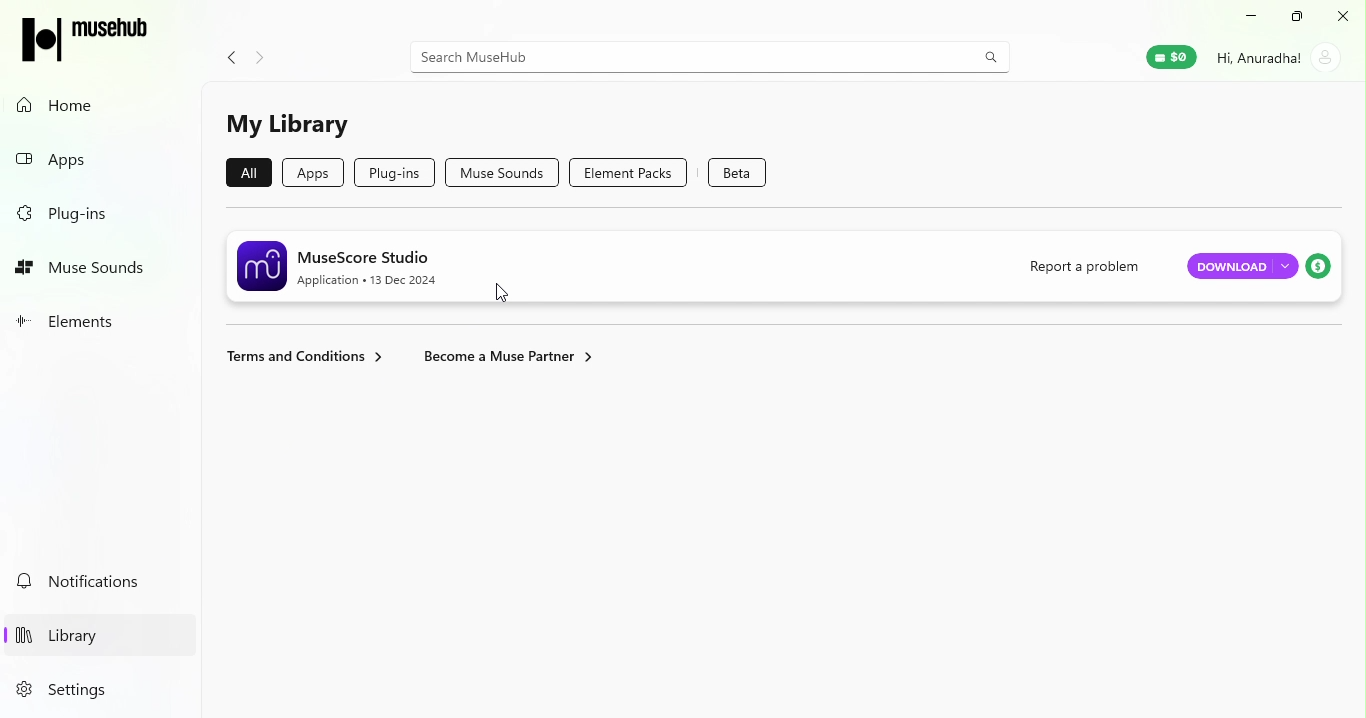  What do you see at coordinates (87, 689) in the screenshot?
I see `Settings` at bounding box center [87, 689].